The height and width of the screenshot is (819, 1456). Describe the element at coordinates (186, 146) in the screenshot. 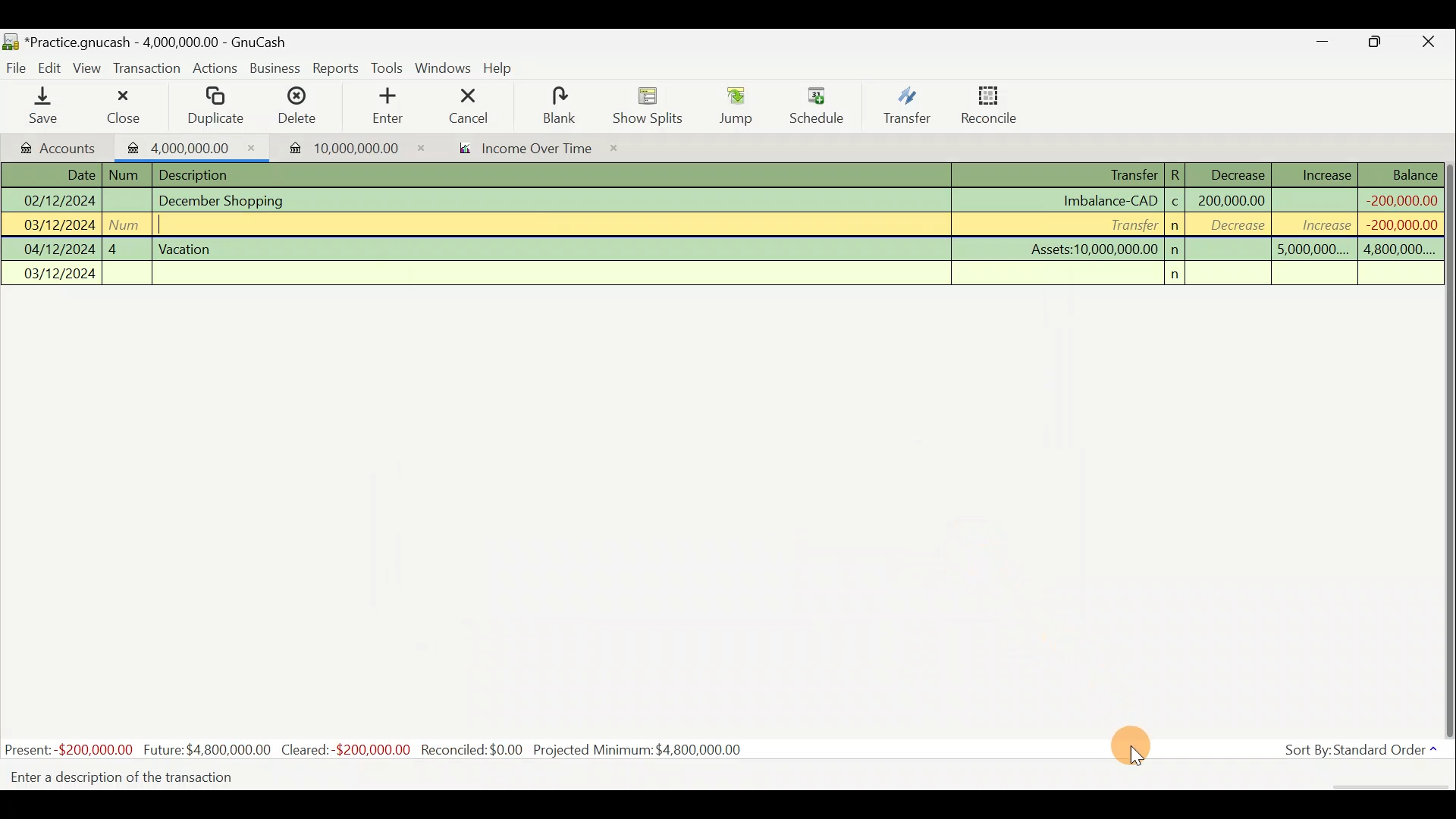

I see `Imported transaction` at that location.